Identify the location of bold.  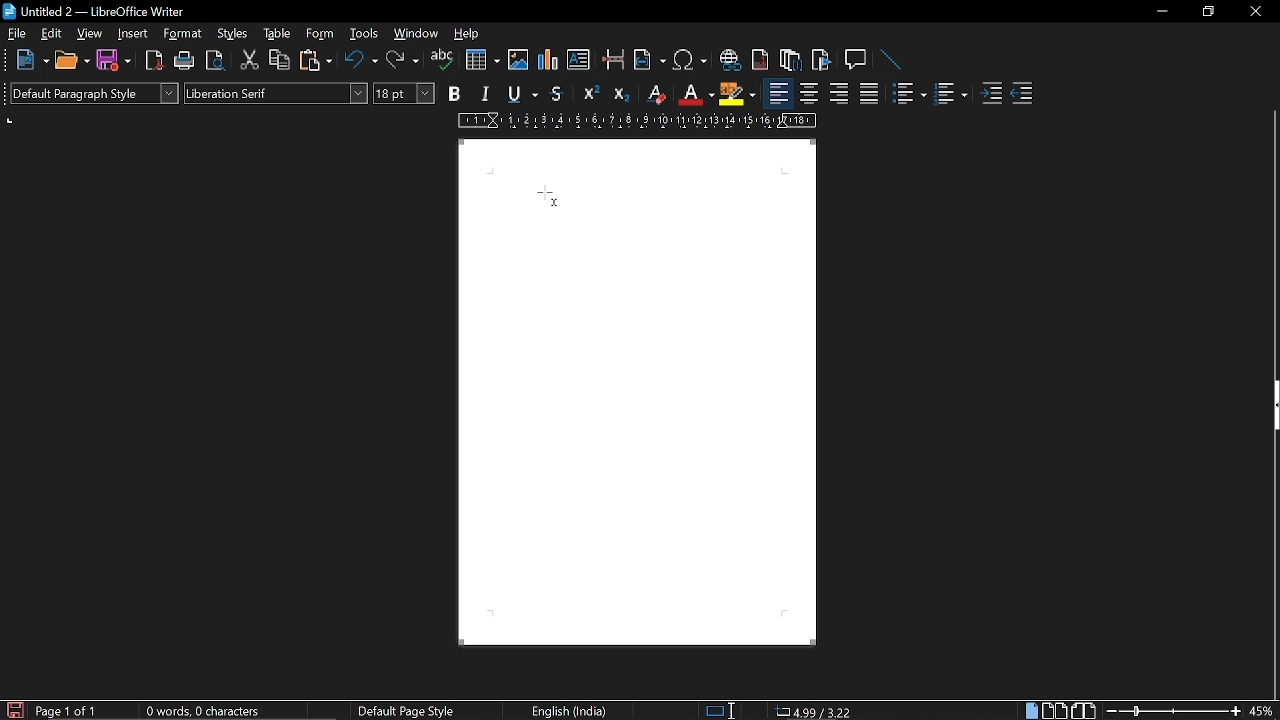
(453, 94).